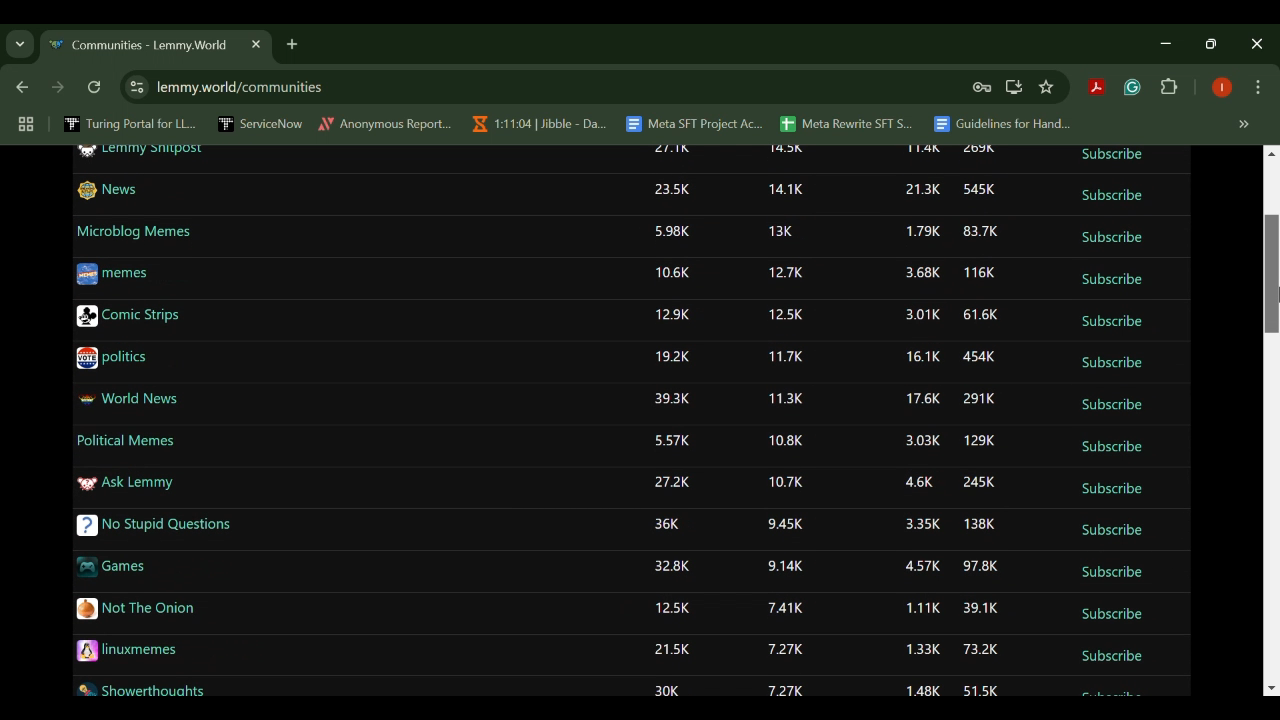 The height and width of the screenshot is (720, 1280). Describe the element at coordinates (918, 316) in the screenshot. I see `3.01K` at that location.